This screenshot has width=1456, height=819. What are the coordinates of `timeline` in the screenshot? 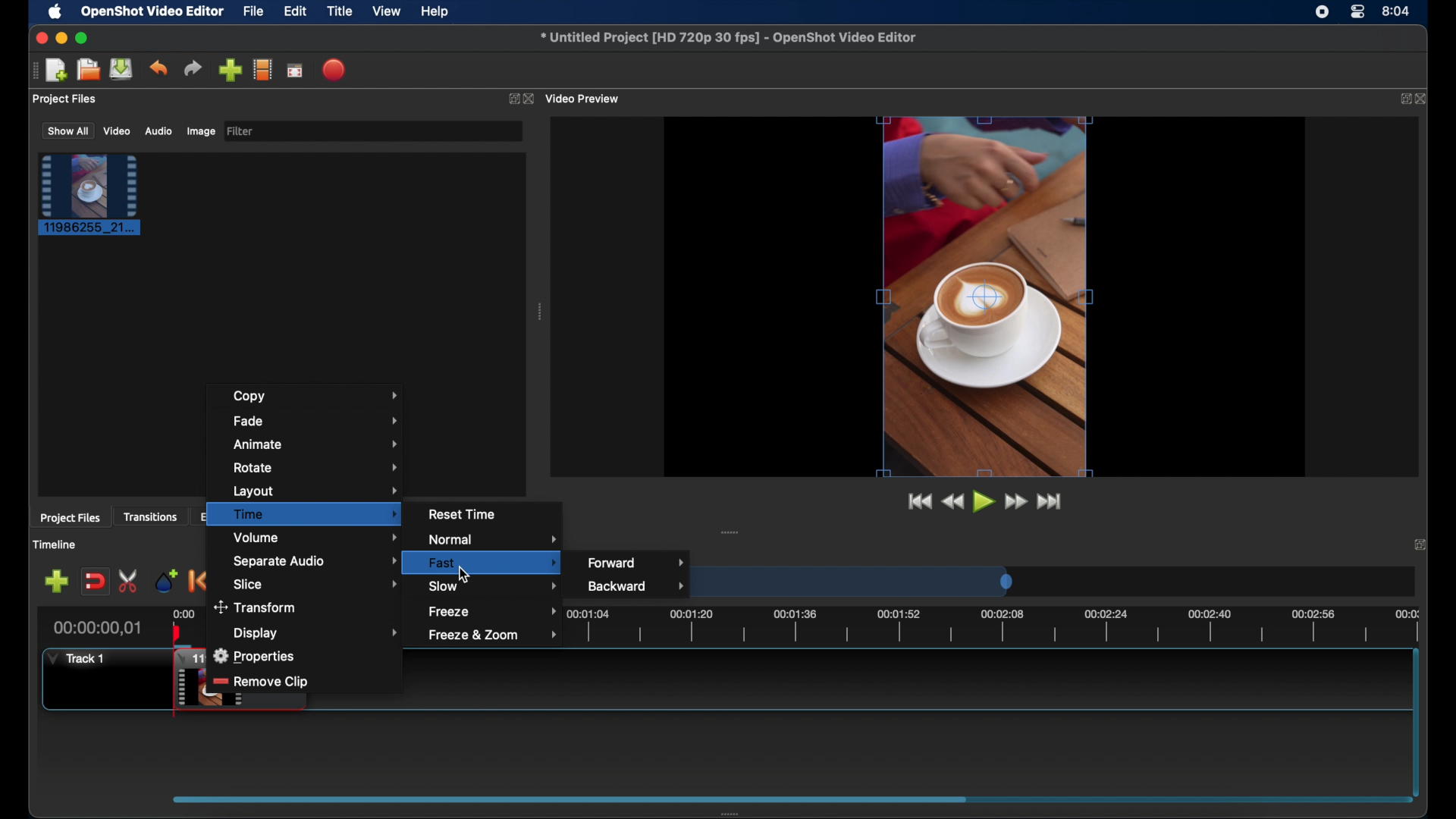 It's located at (56, 544).